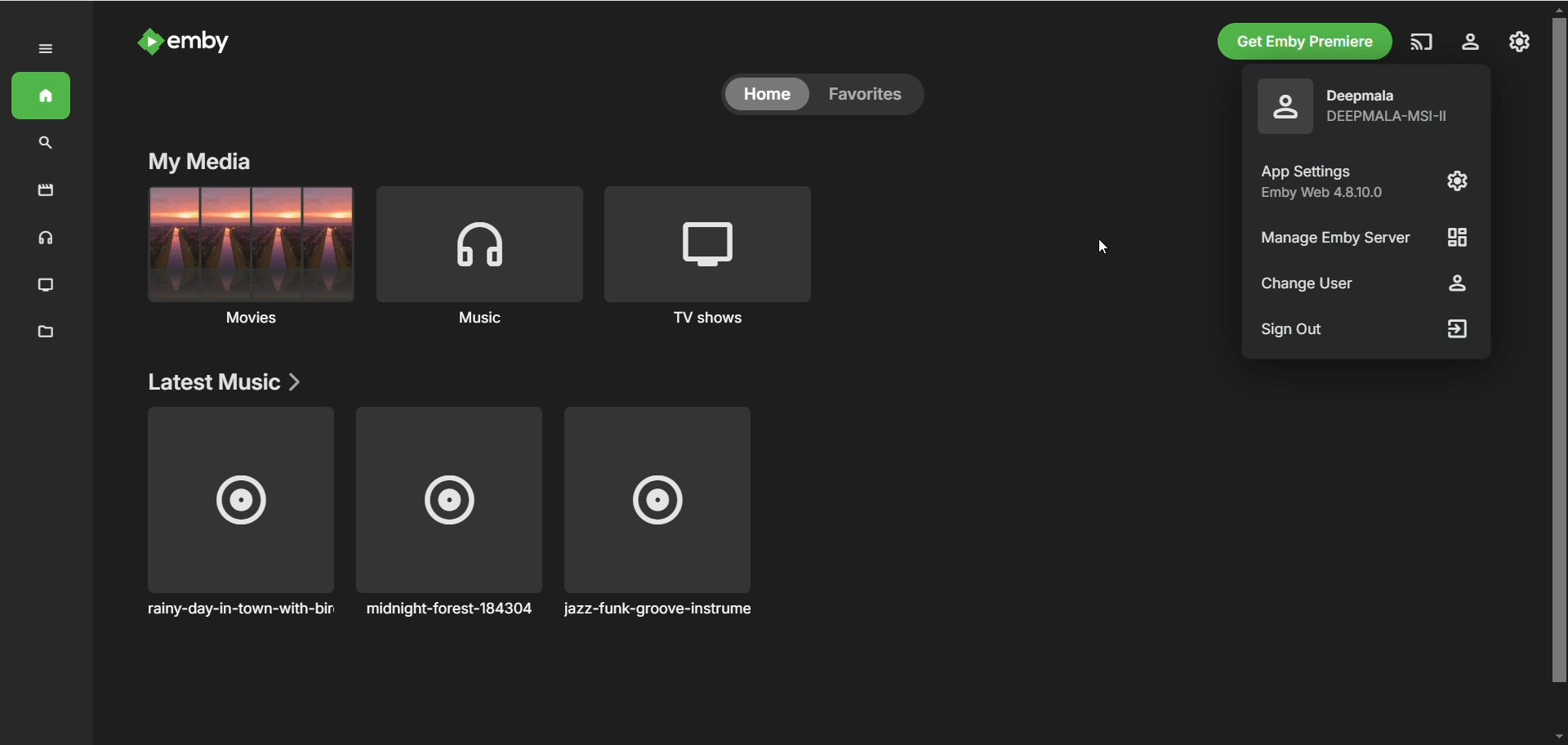 This screenshot has width=1568, height=745. What do you see at coordinates (252, 243) in the screenshot?
I see `movies` at bounding box center [252, 243].